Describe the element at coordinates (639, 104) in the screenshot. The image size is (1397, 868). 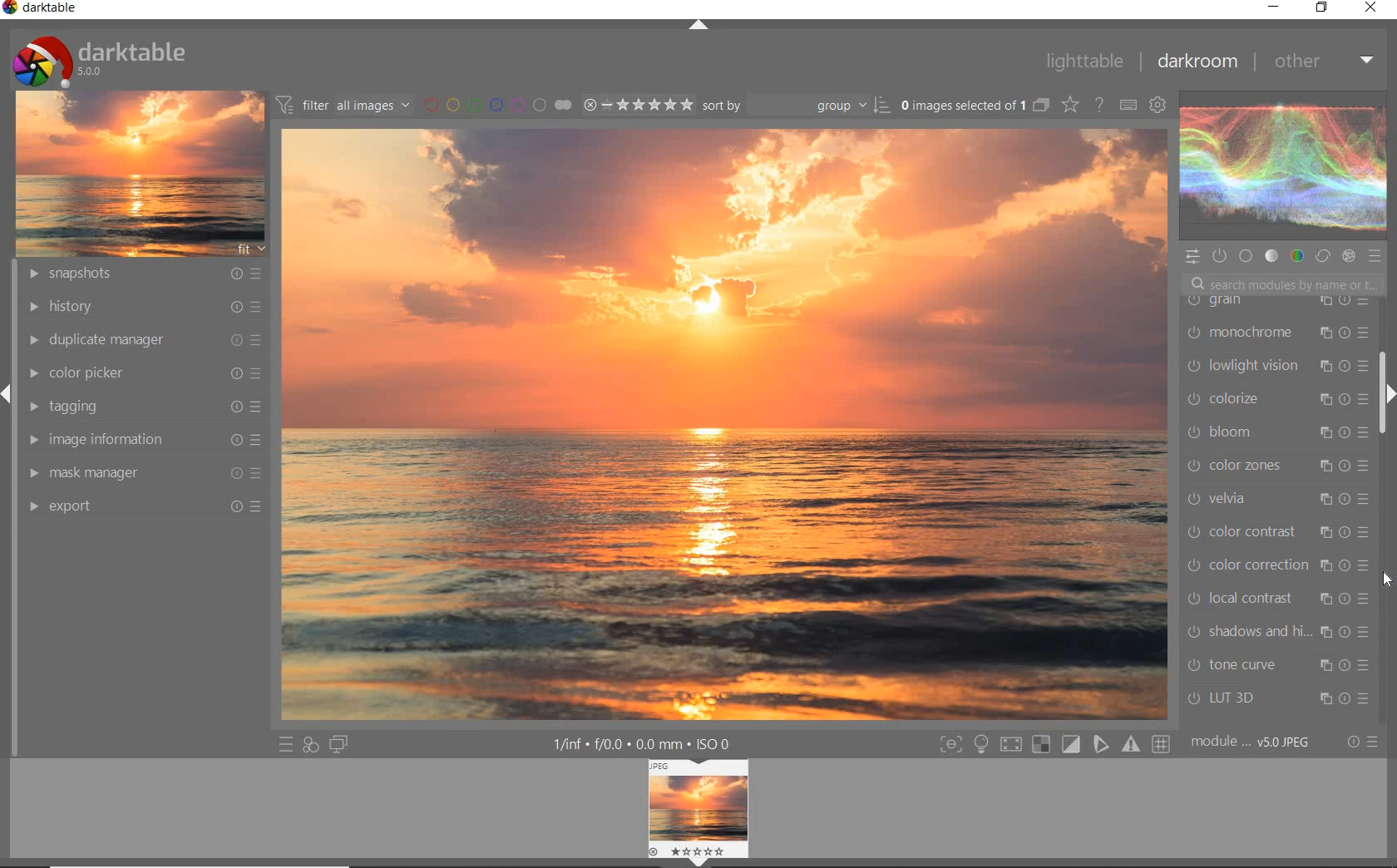
I see `SELECTED IMAGE RANGE RATING` at that location.